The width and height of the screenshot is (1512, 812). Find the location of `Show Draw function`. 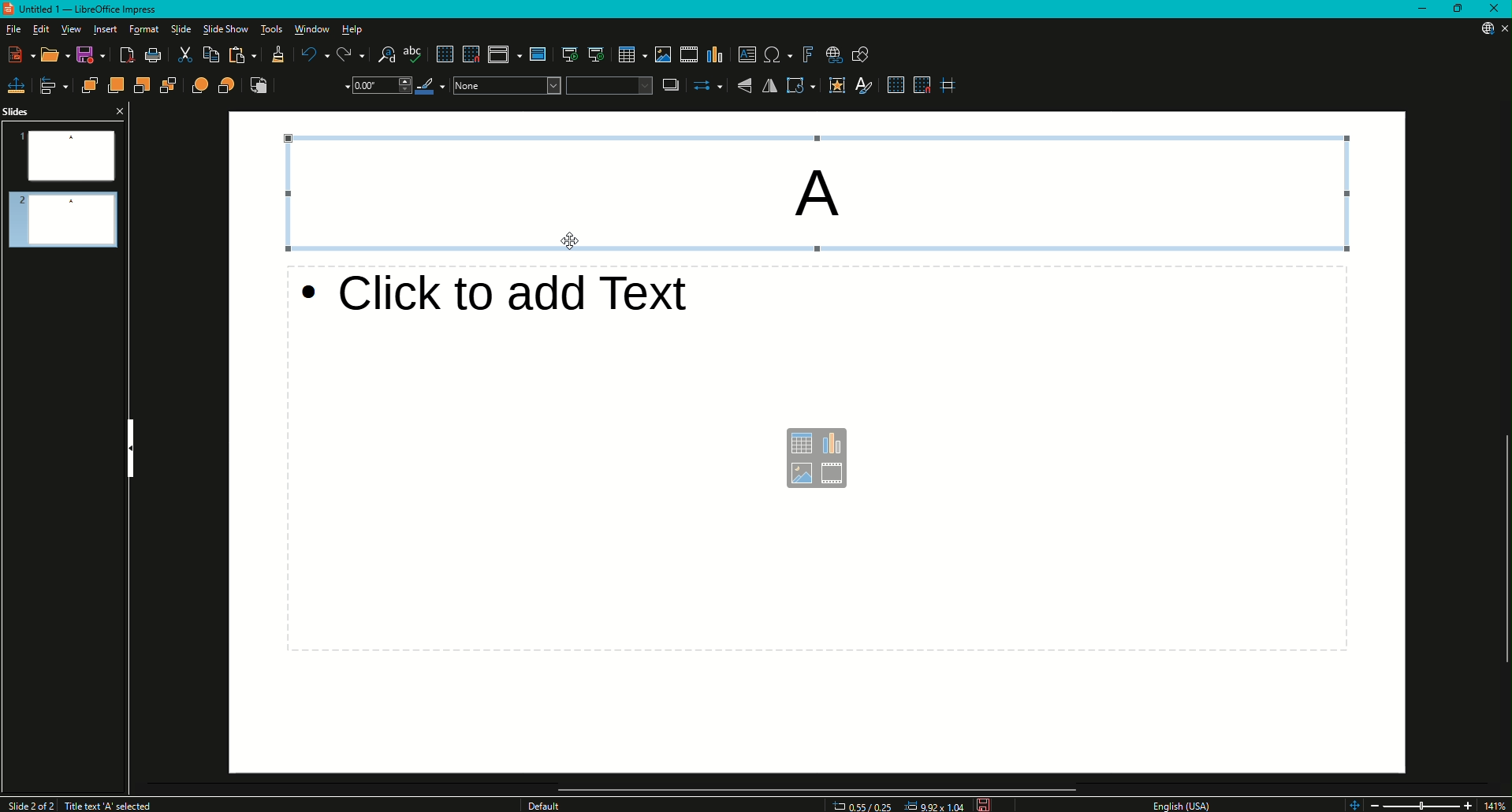

Show Draw function is located at coordinates (865, 54).